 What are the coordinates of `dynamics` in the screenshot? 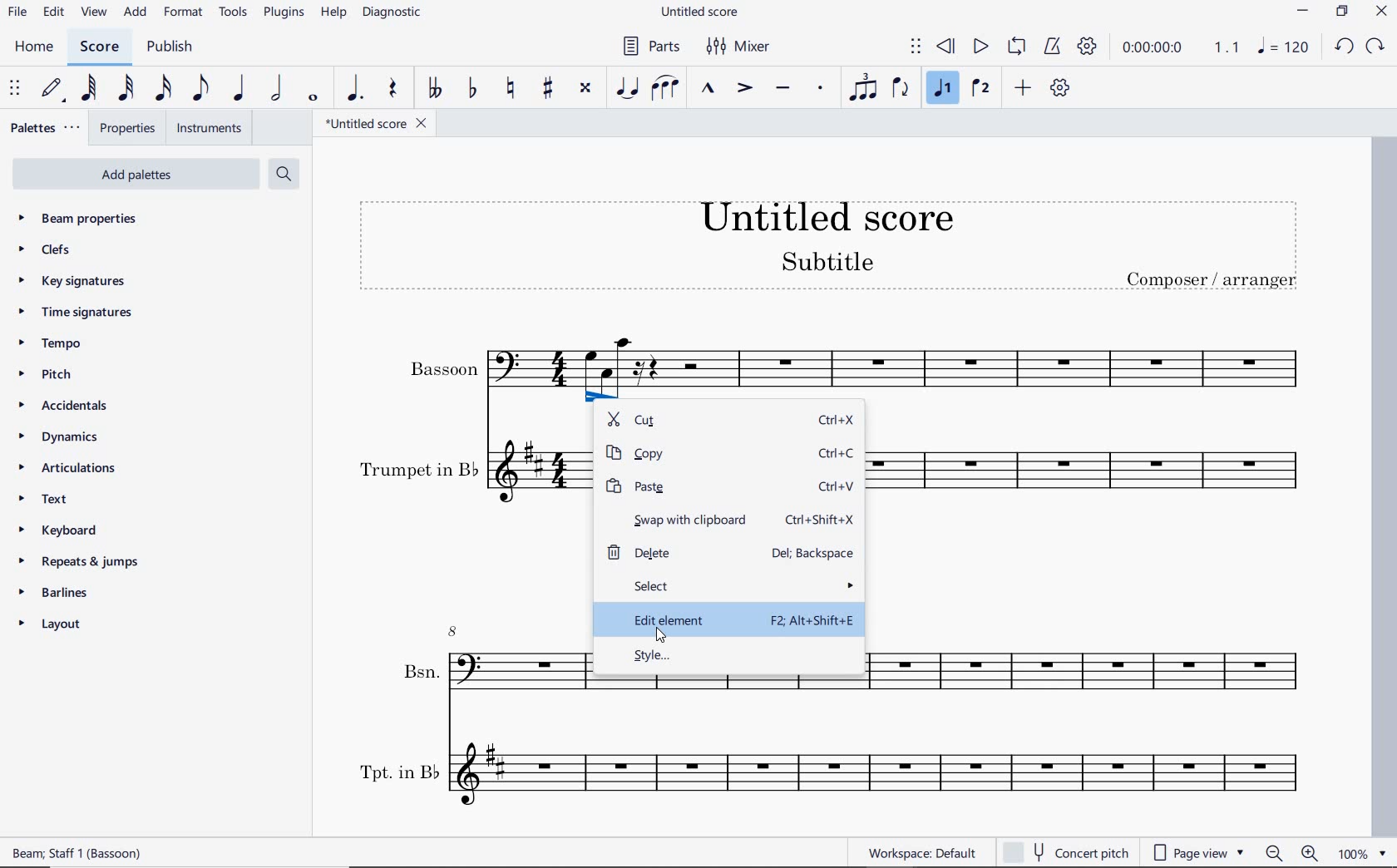 It's located at (61, 435).